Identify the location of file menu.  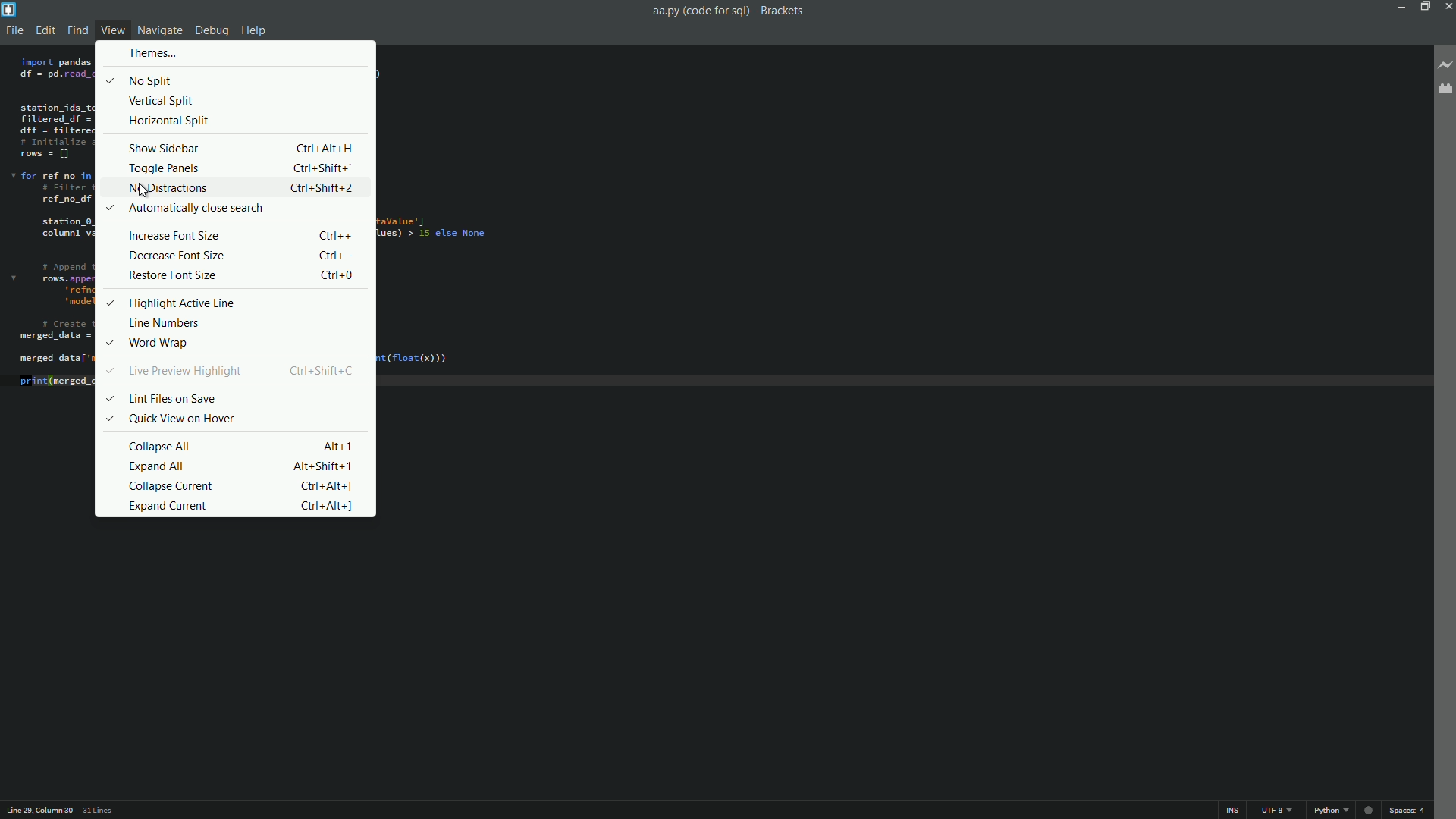
(13, 30).